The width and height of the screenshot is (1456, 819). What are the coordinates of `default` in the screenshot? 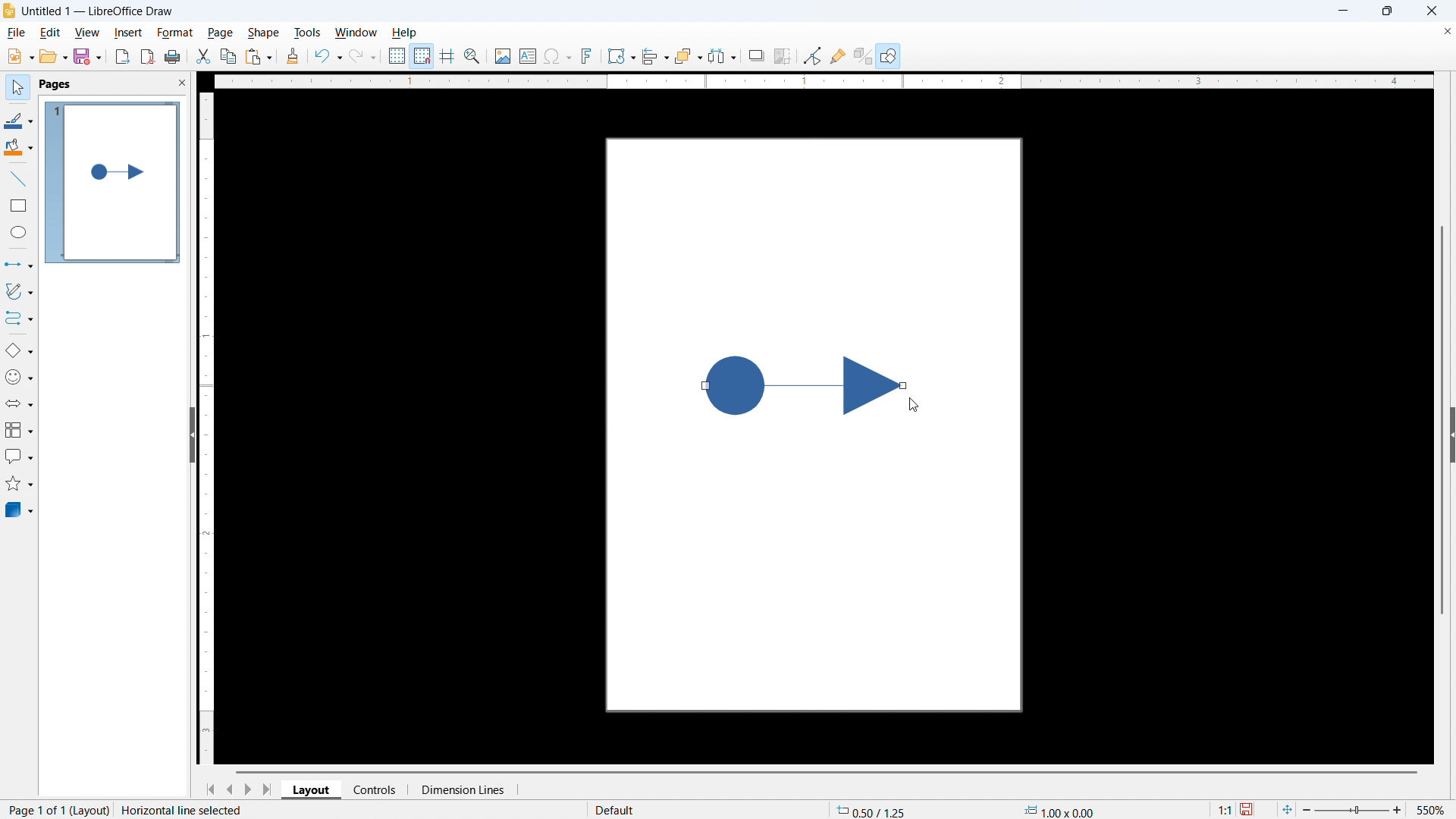 It's located at (618, 810).